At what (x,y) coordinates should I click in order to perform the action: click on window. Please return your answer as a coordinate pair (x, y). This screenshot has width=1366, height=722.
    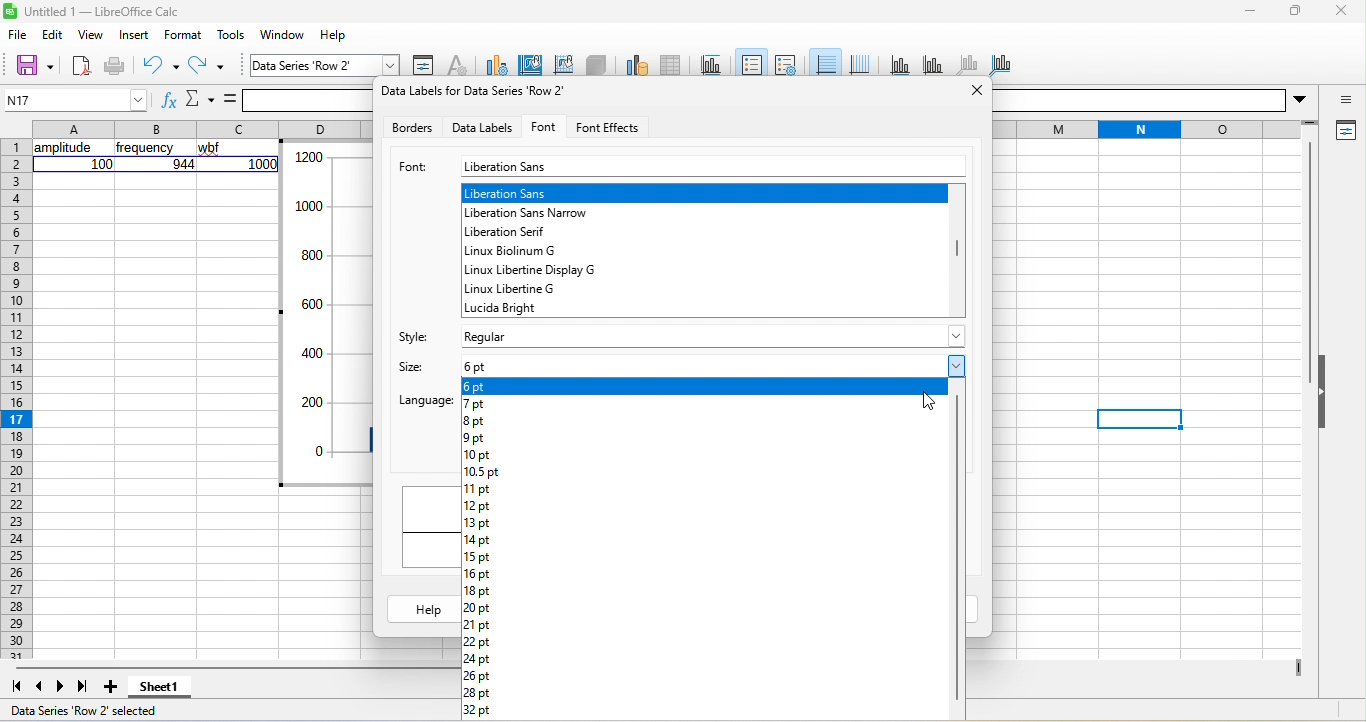
    Looking at the image, I should click on (280, 35).